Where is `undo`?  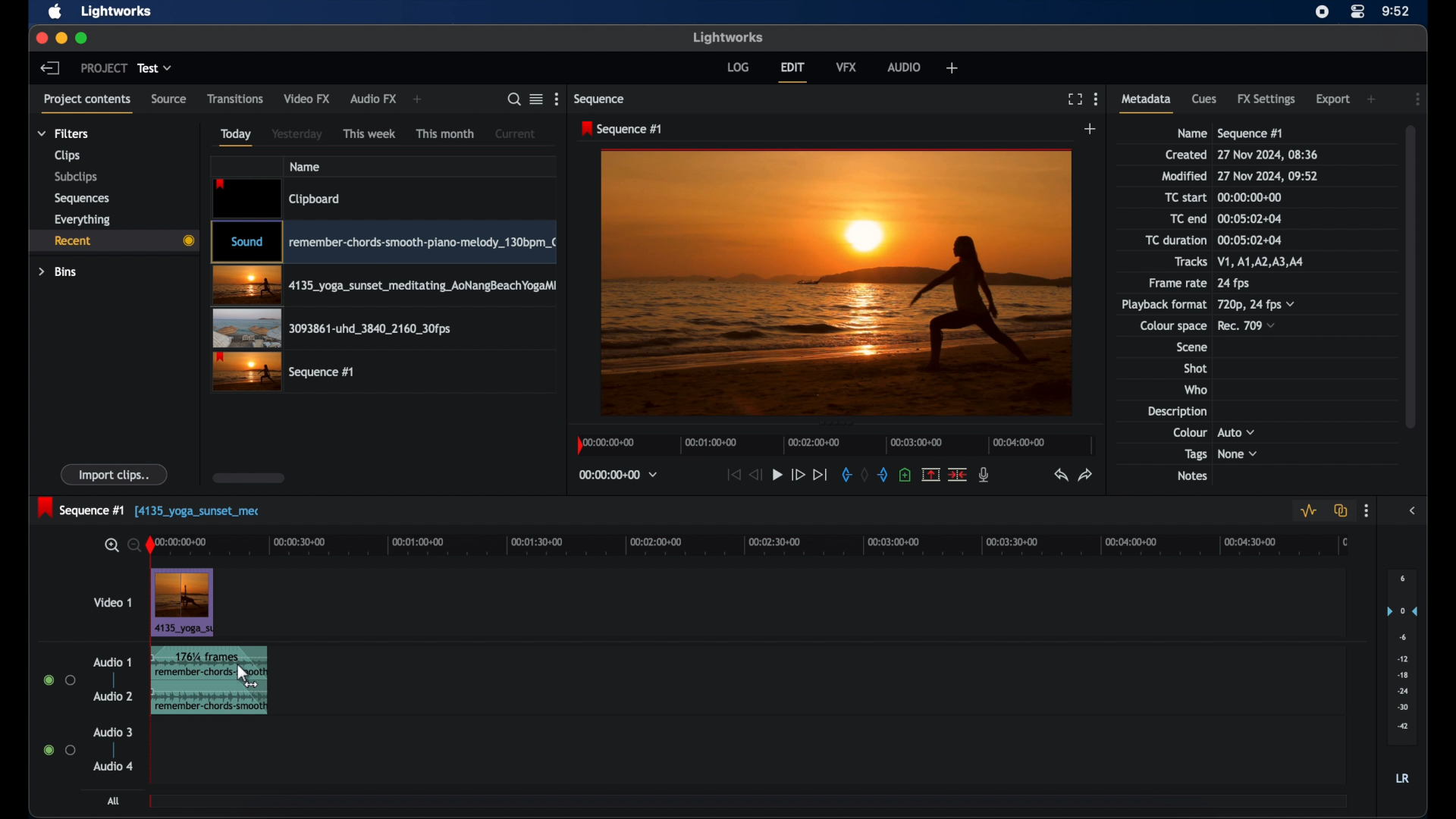 undo is located at coordinates (1059, 475).